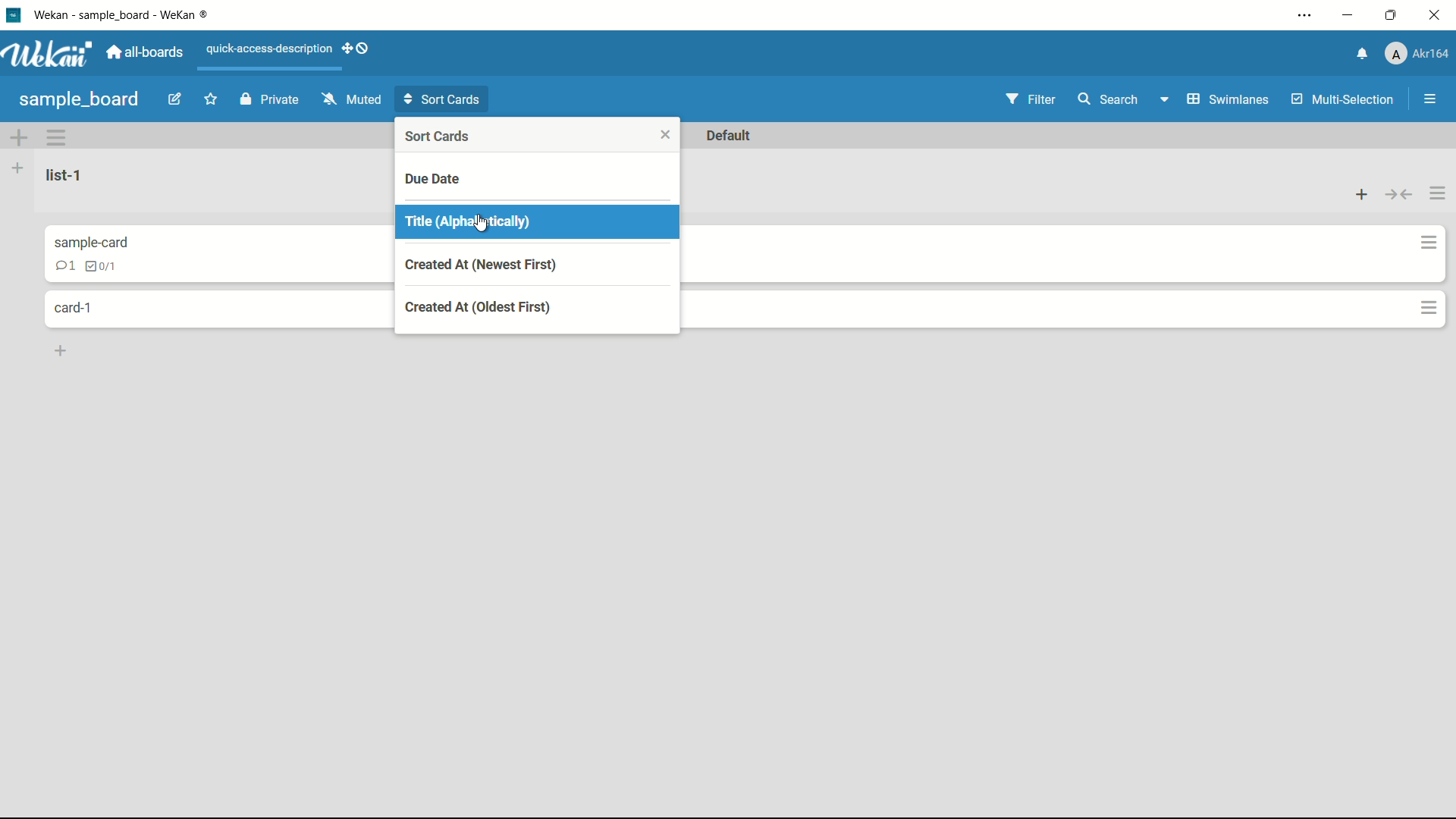  What do you see at coordinates (469, 223) in the screenshot?
I see `title alphabetically` at bounding box center [469, 223].